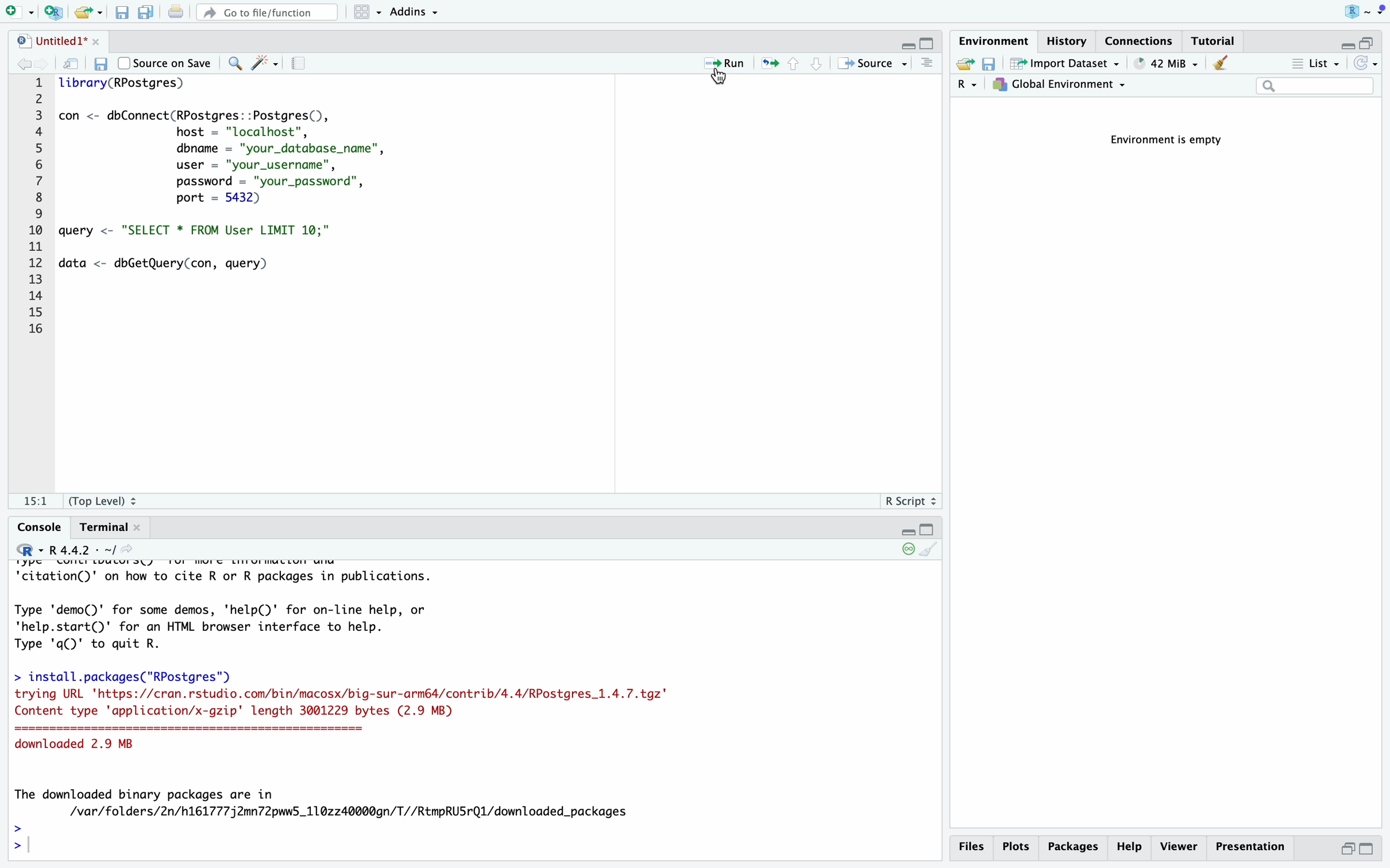  What do you see at coordinates (1342, 40) in the screenshot?
I see `minimize` at bounding box center [1342, 40].